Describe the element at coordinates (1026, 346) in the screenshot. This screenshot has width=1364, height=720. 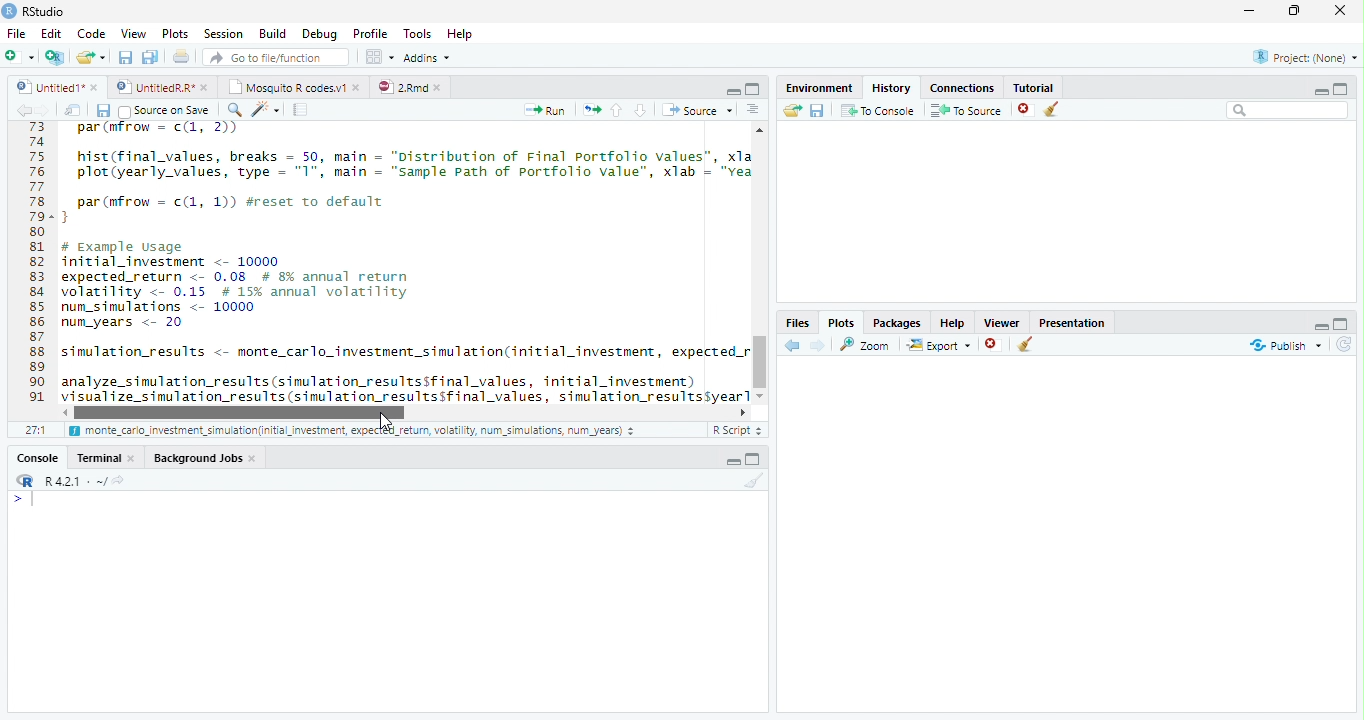
I see `Clear` at that location.